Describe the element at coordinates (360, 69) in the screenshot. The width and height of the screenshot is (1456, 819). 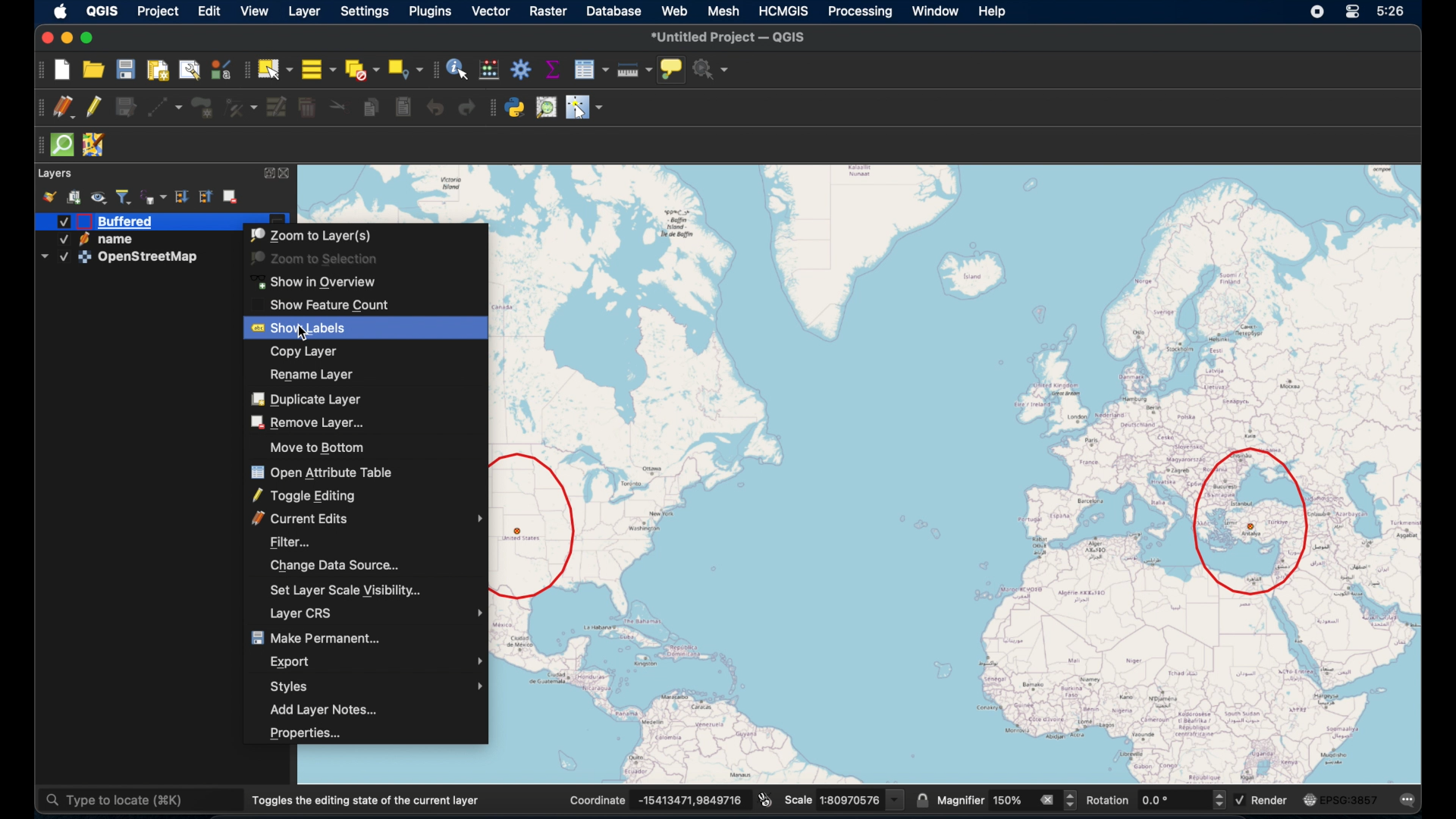
I see `deselect features` at that location.